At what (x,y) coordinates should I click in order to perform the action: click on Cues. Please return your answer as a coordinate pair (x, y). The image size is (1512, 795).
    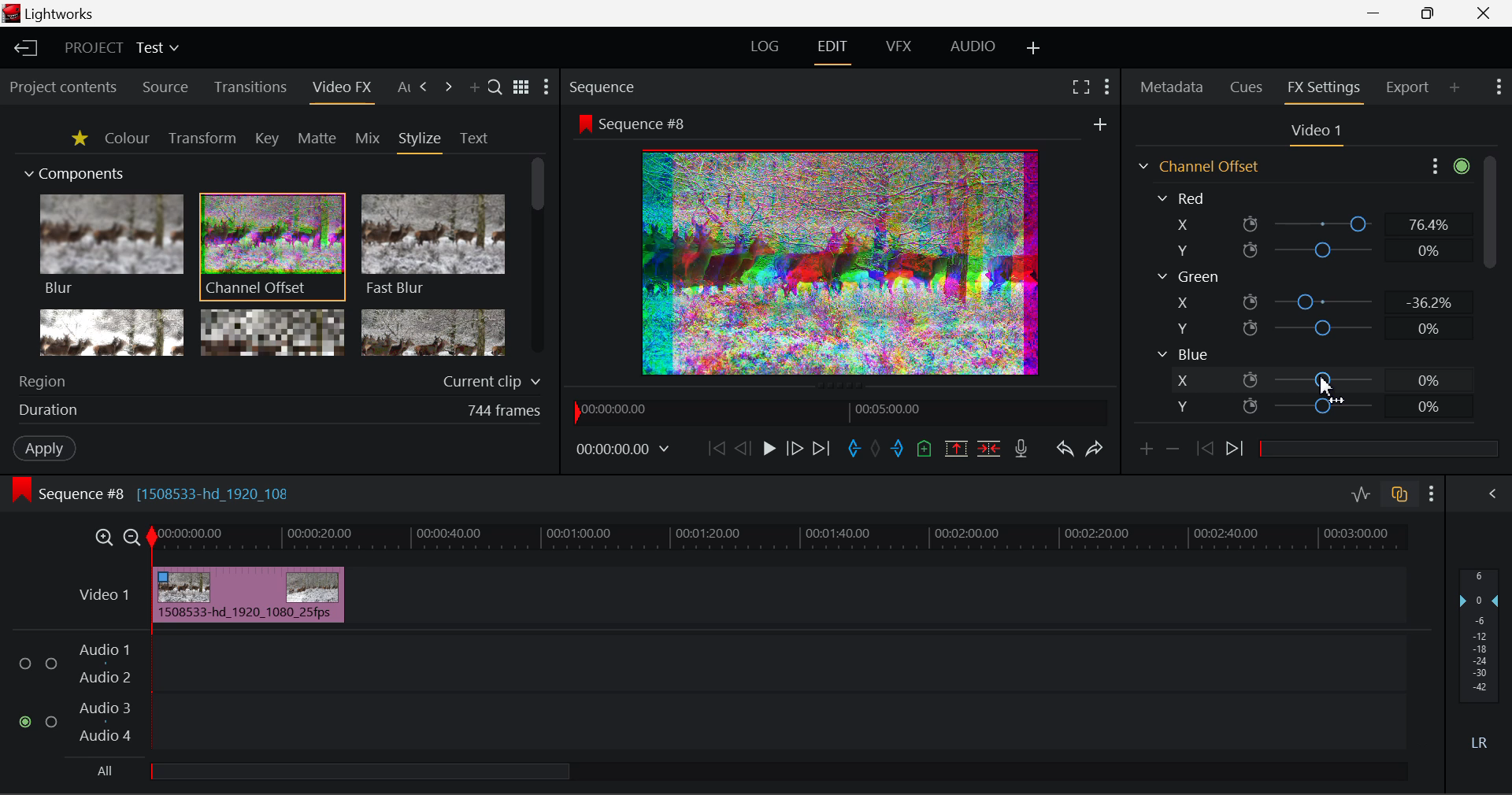
    Looking at the image, I should click on (1246, 87).